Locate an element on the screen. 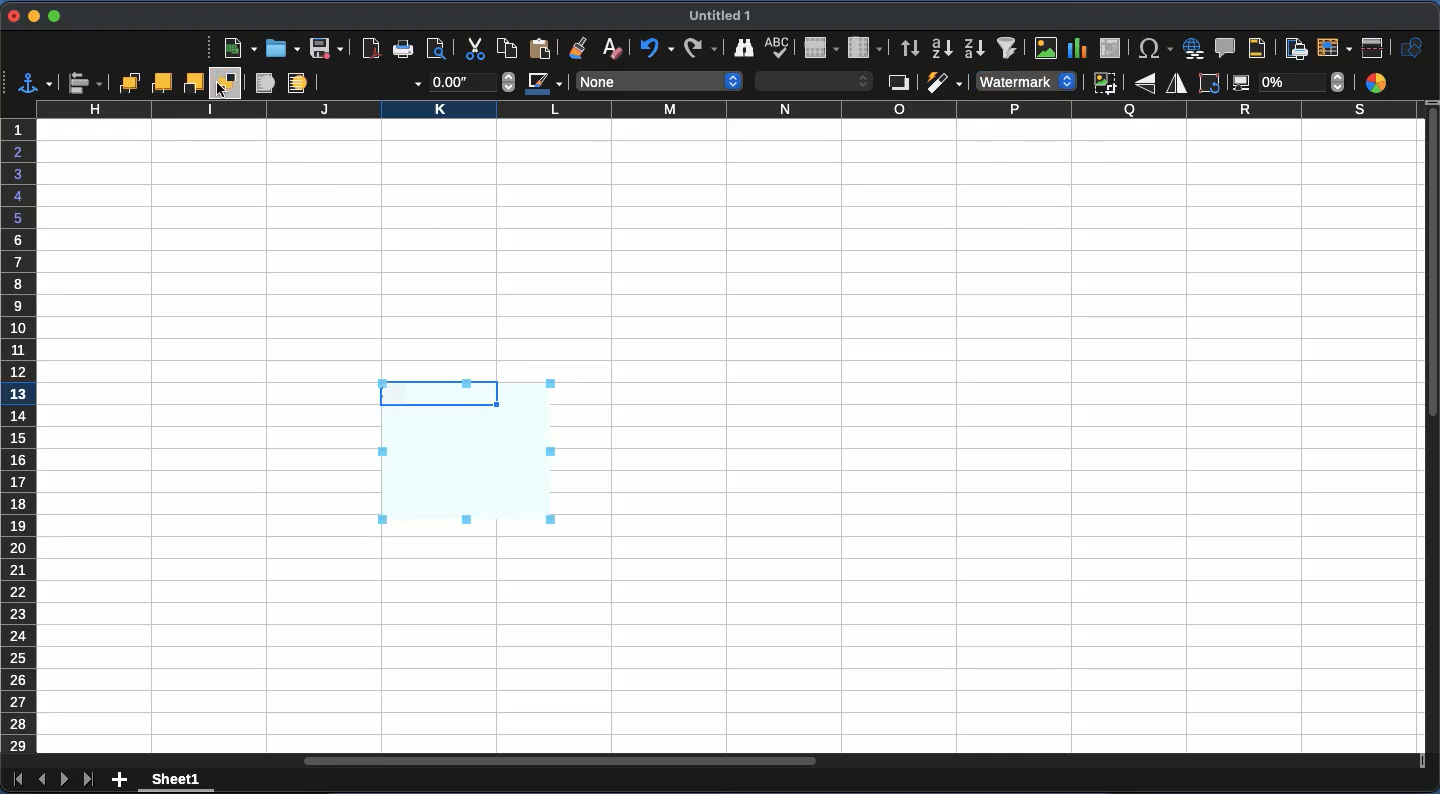 The width and height of the screenshot is (1440, 794). pivot table is located at coordinates (1113, 48).